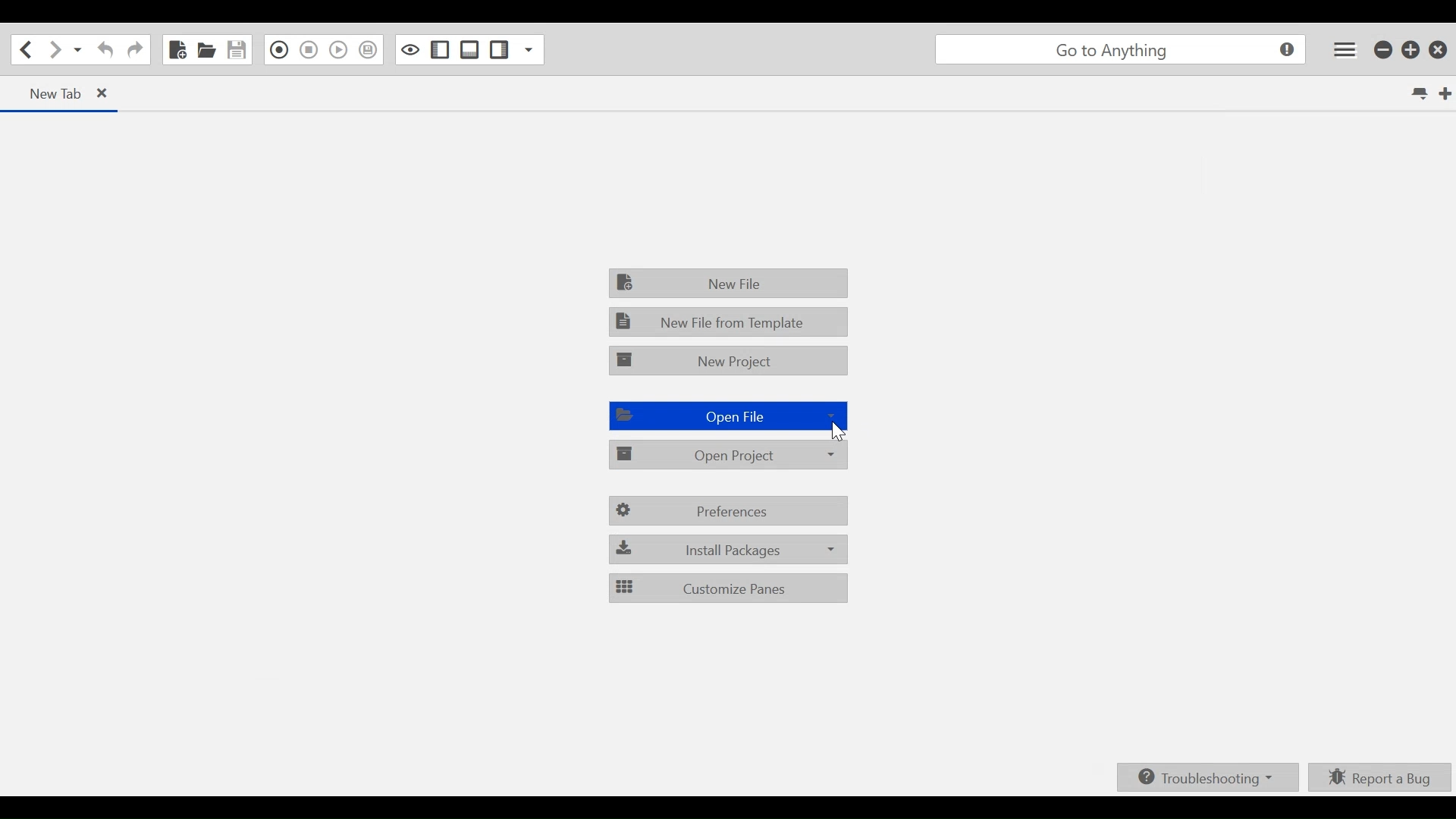  Describe the element at coordinates (309, 49) in the screenshot. I see `Stop Recording Macro` at that location.